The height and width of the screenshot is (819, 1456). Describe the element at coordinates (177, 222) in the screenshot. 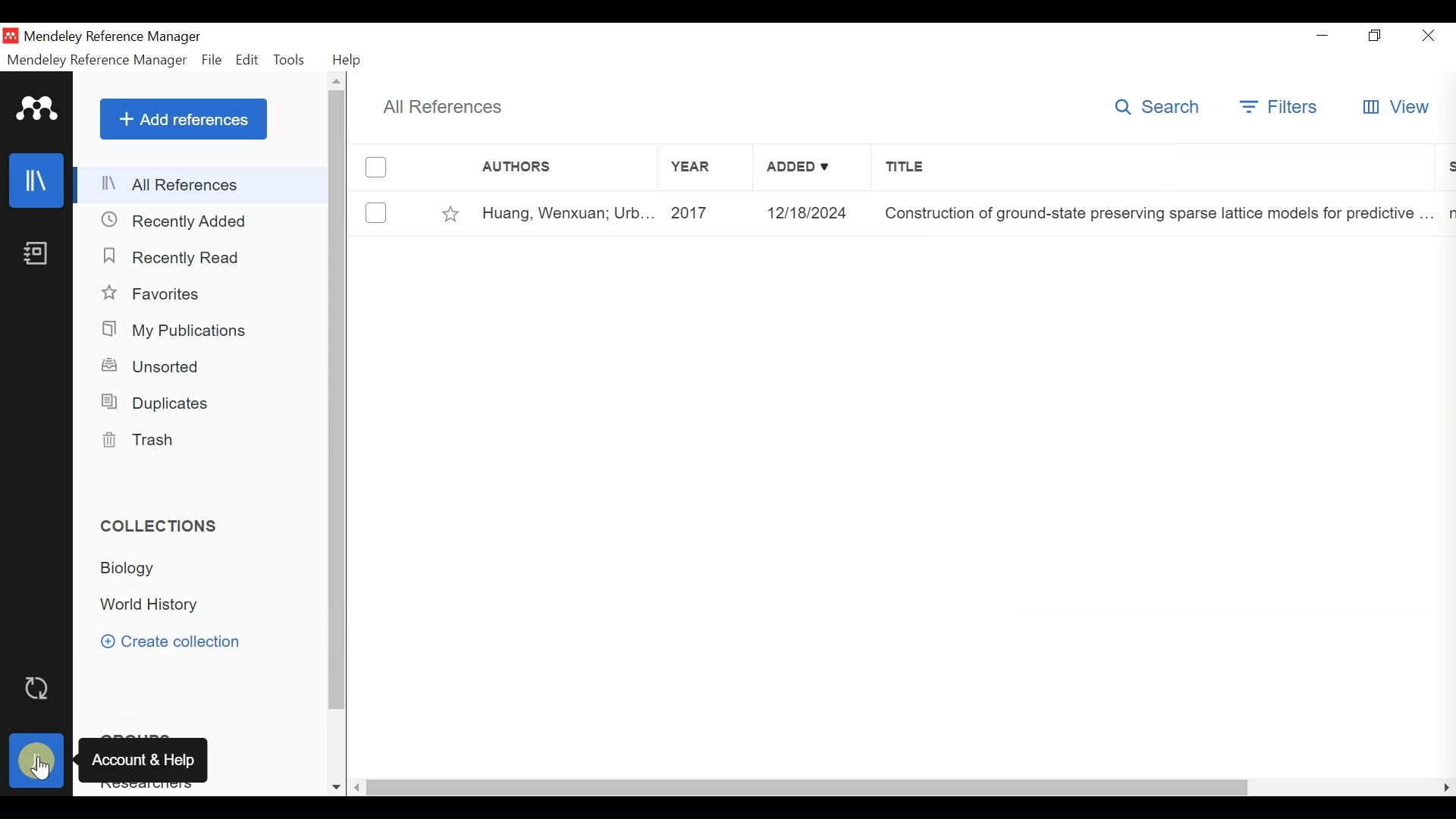

I see `Recently Added` at that location.